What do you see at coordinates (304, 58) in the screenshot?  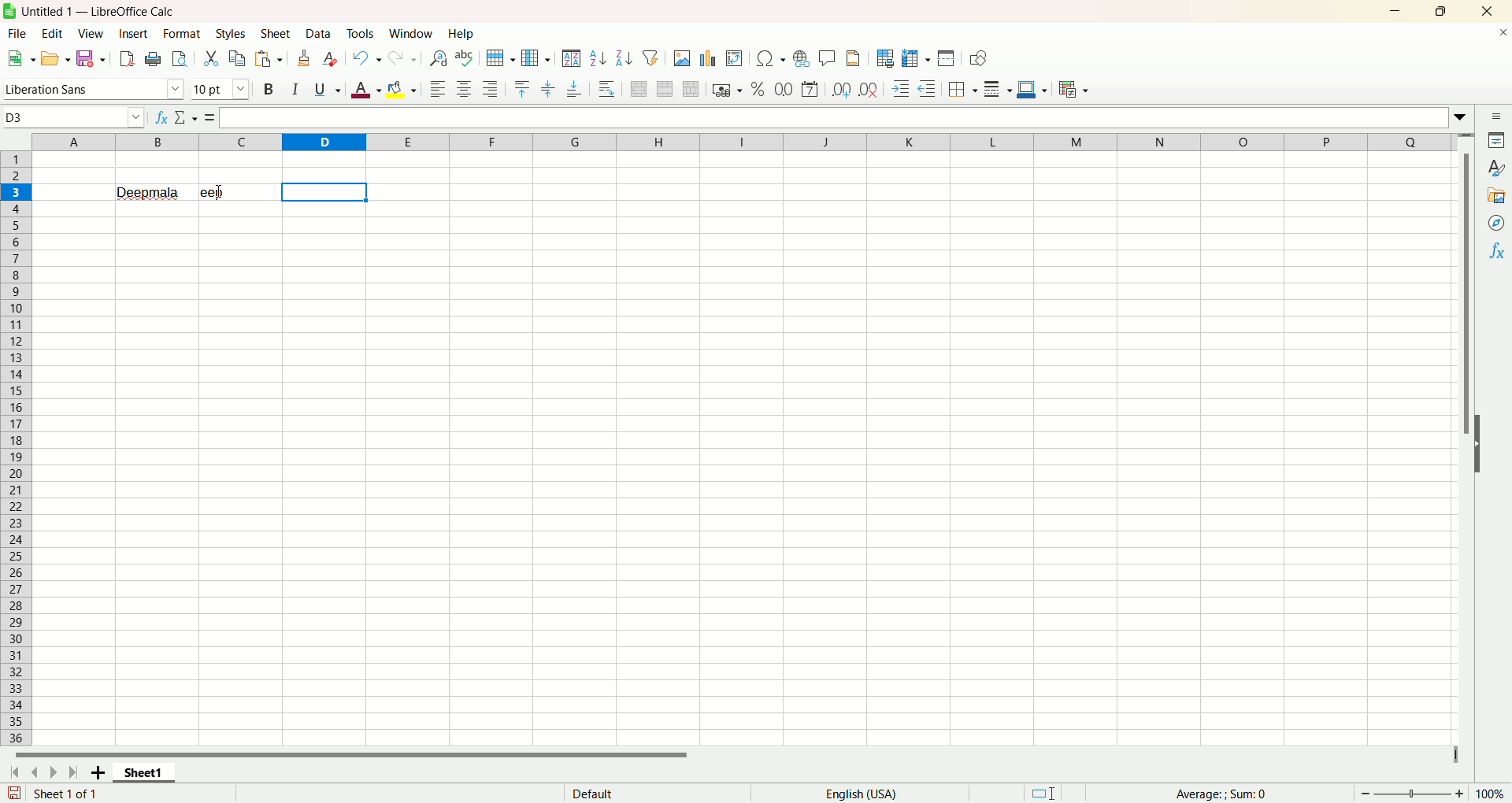 I see `Clone formatting` at bounding box center [304, 58].